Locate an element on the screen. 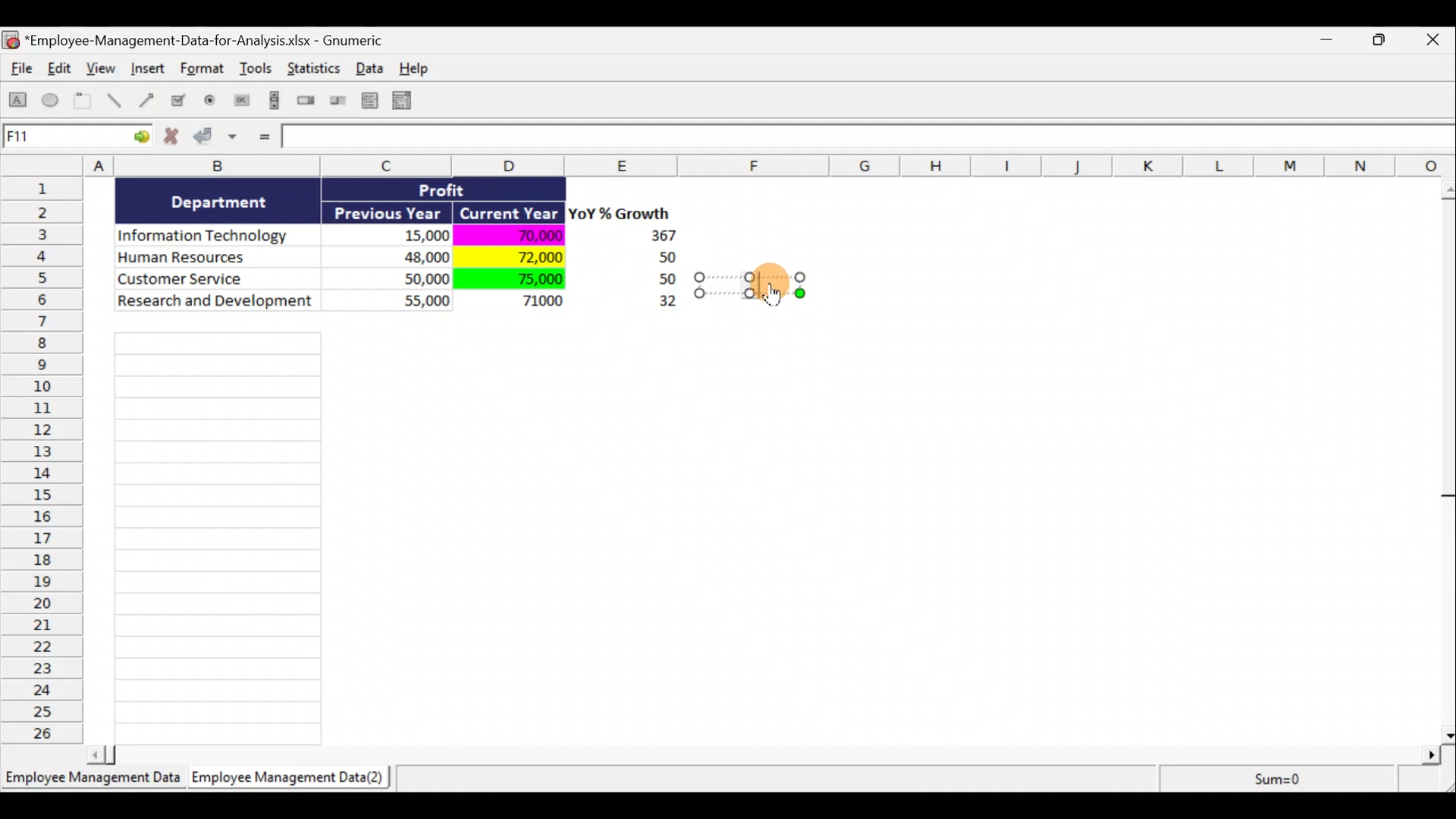 The width and height of the screenshot is (1456, 819). Create a line object is located at coordinates (117, 101).